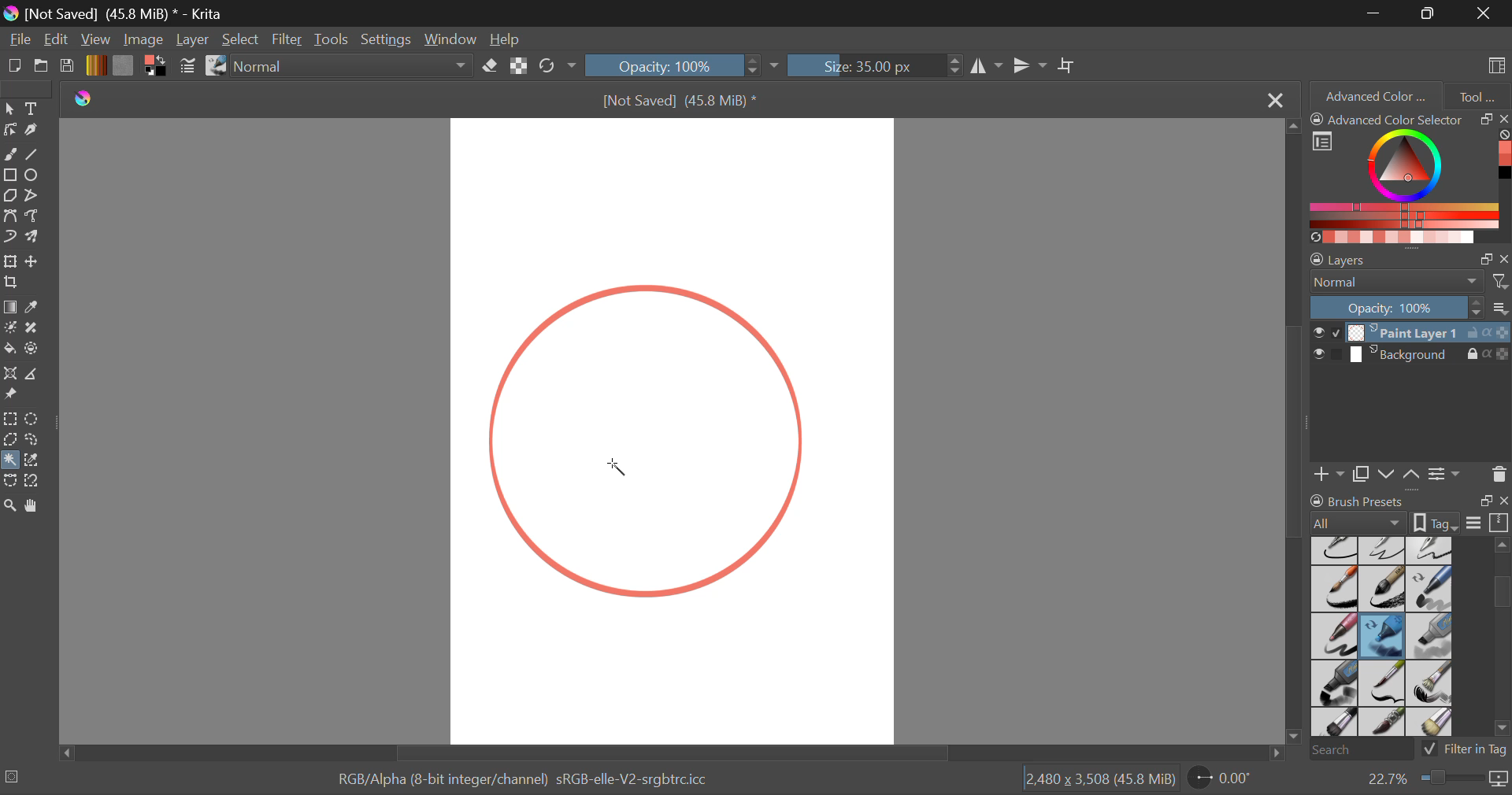 Image resolution: width=1512 pixels, height=795 pixels. Describe the element at coordinates (13, 395) in the screenshot. I see `Reference Images` at that location.